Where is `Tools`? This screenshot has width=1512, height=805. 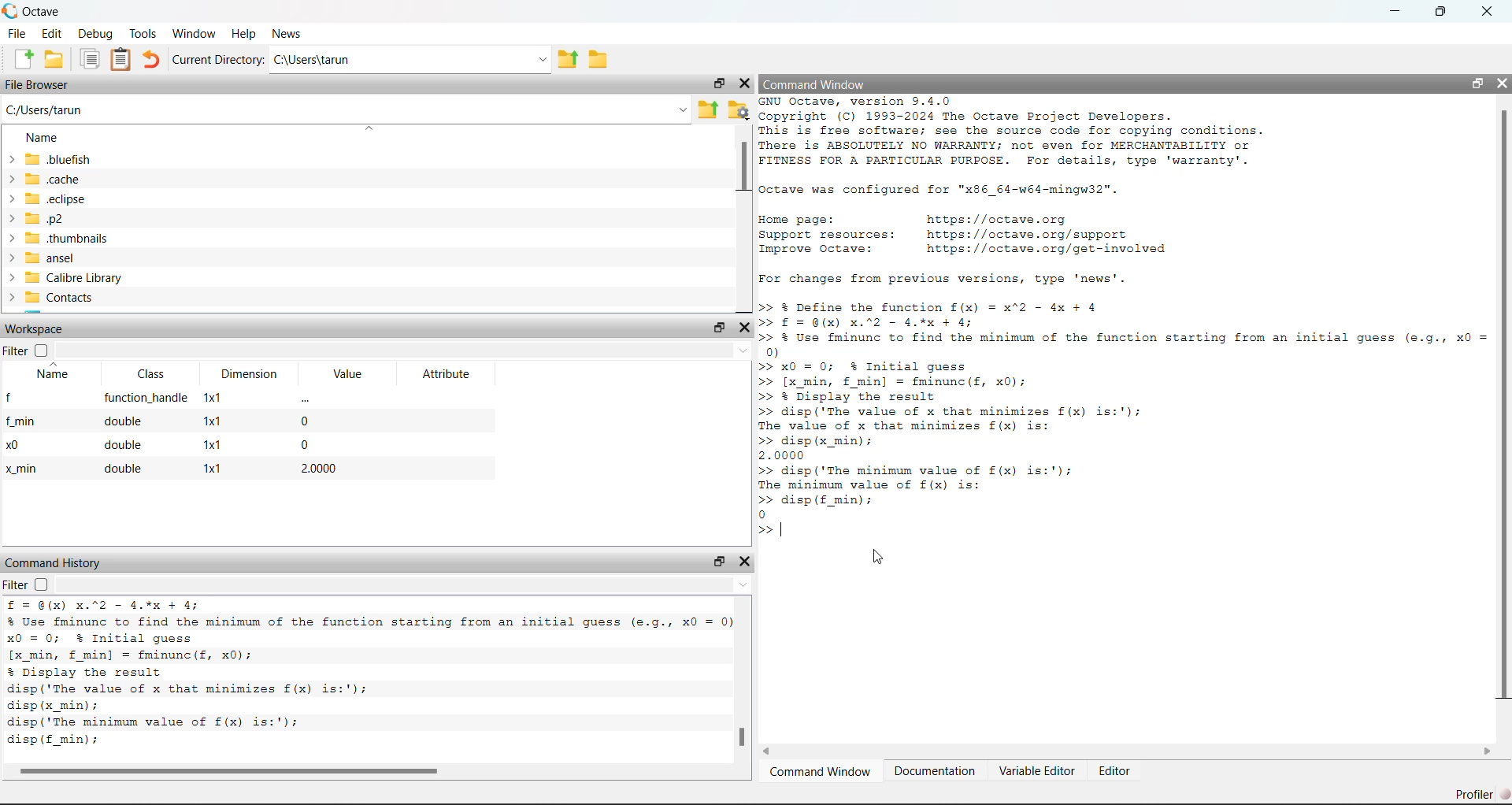
Tools is located at coordinates (141, 31).